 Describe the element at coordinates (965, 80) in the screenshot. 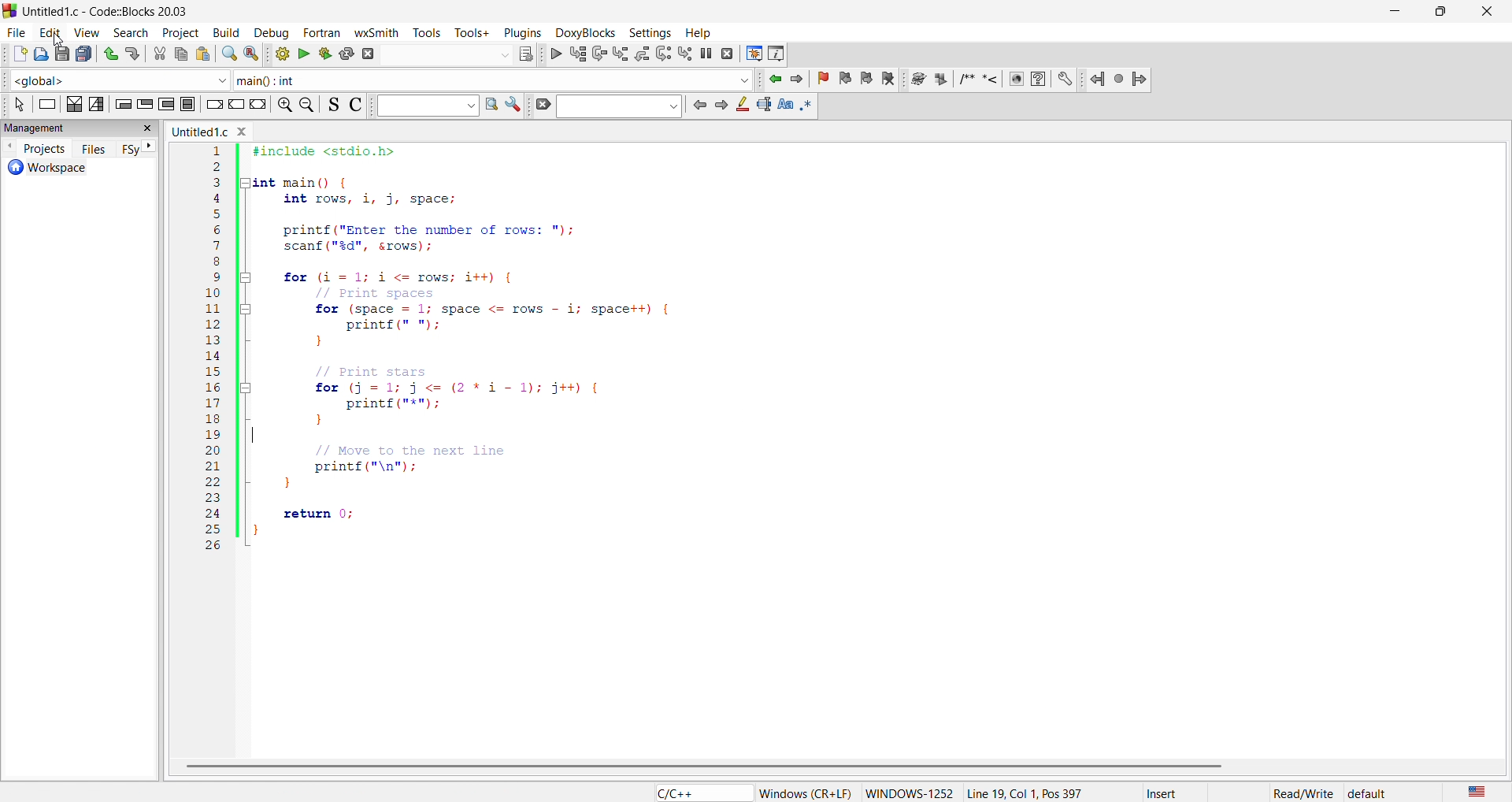

I see `insert comment box` at that location.